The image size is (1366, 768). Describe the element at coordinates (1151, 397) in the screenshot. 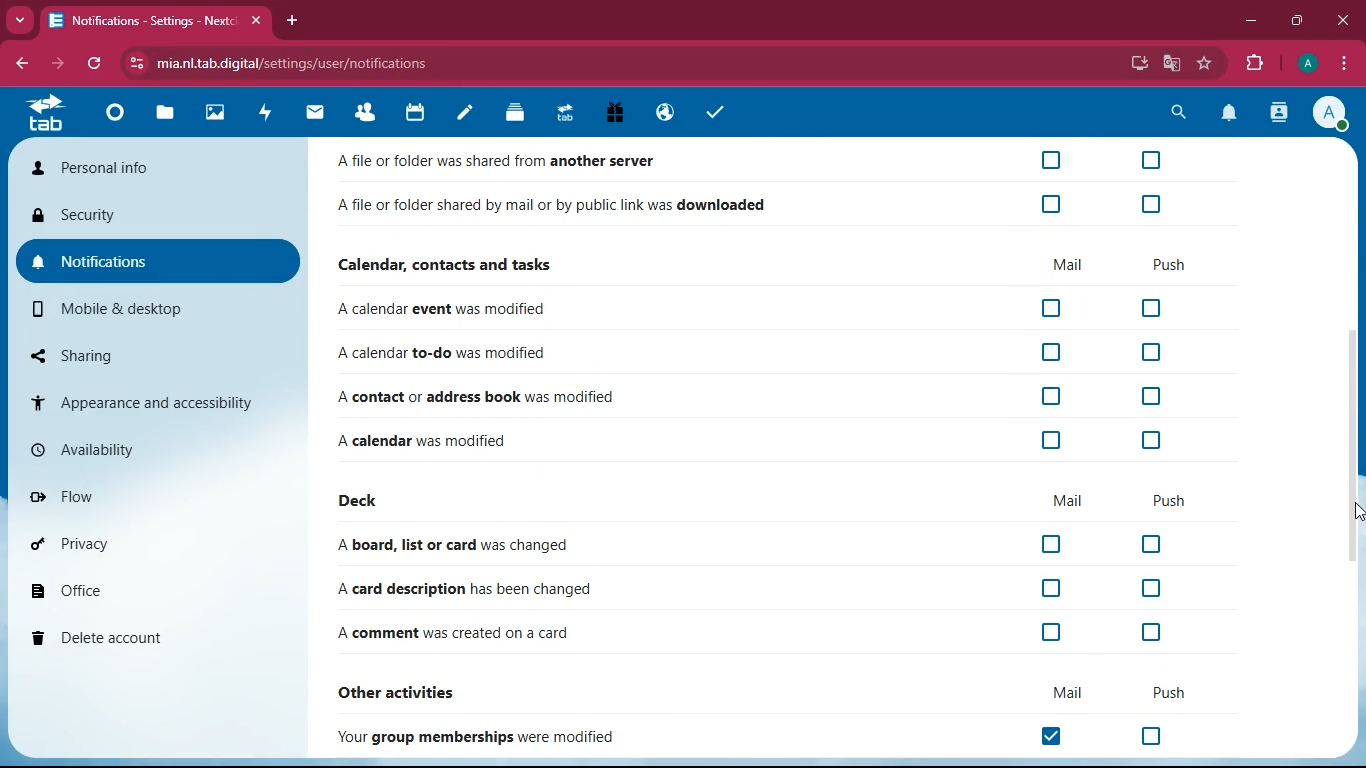

I see `off` at that location.